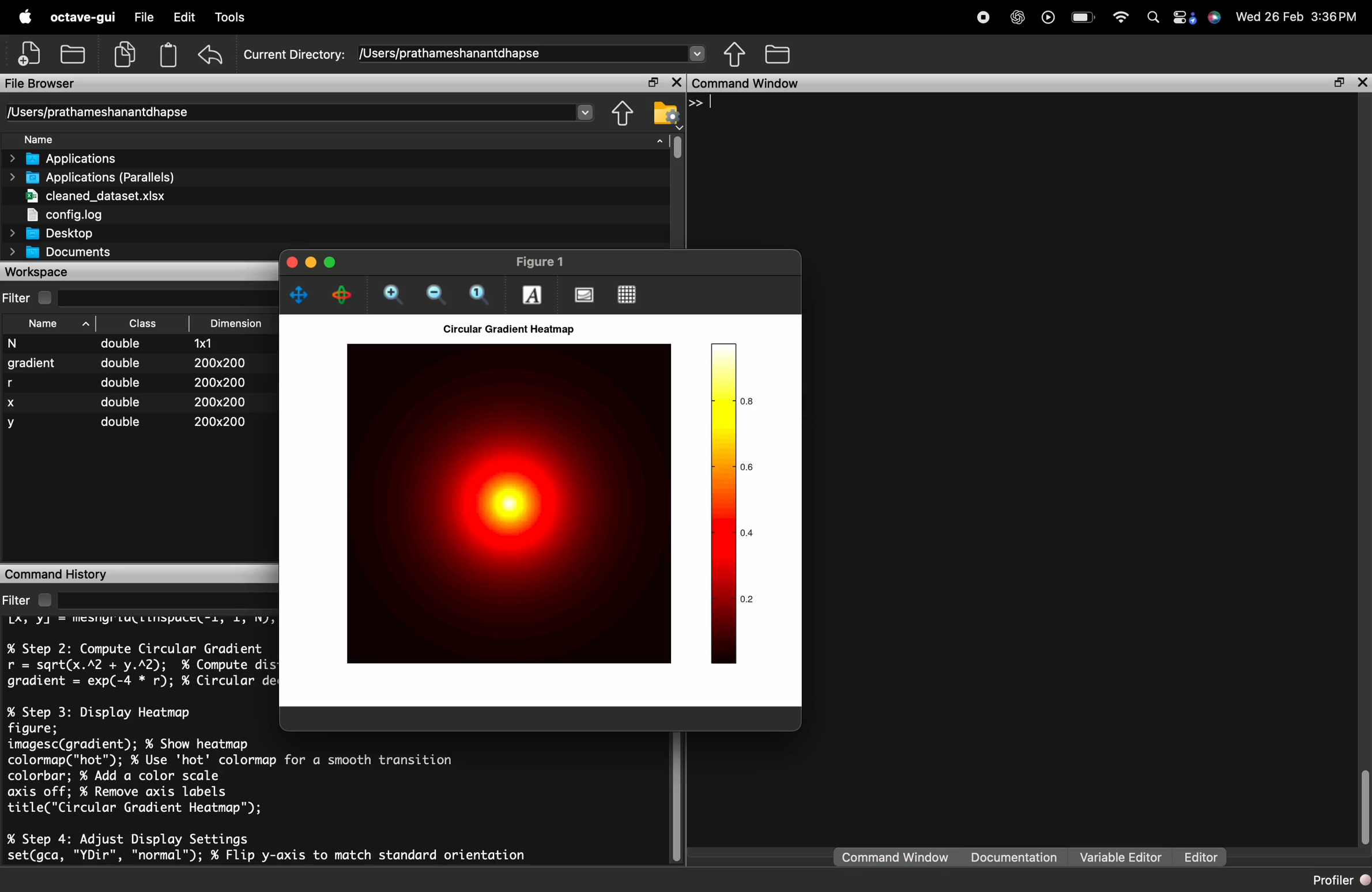 The image size is (1372, 892). Describe the element at coordinates (1336, 17) in the screenshot. I see `3:36 PM` at that location.